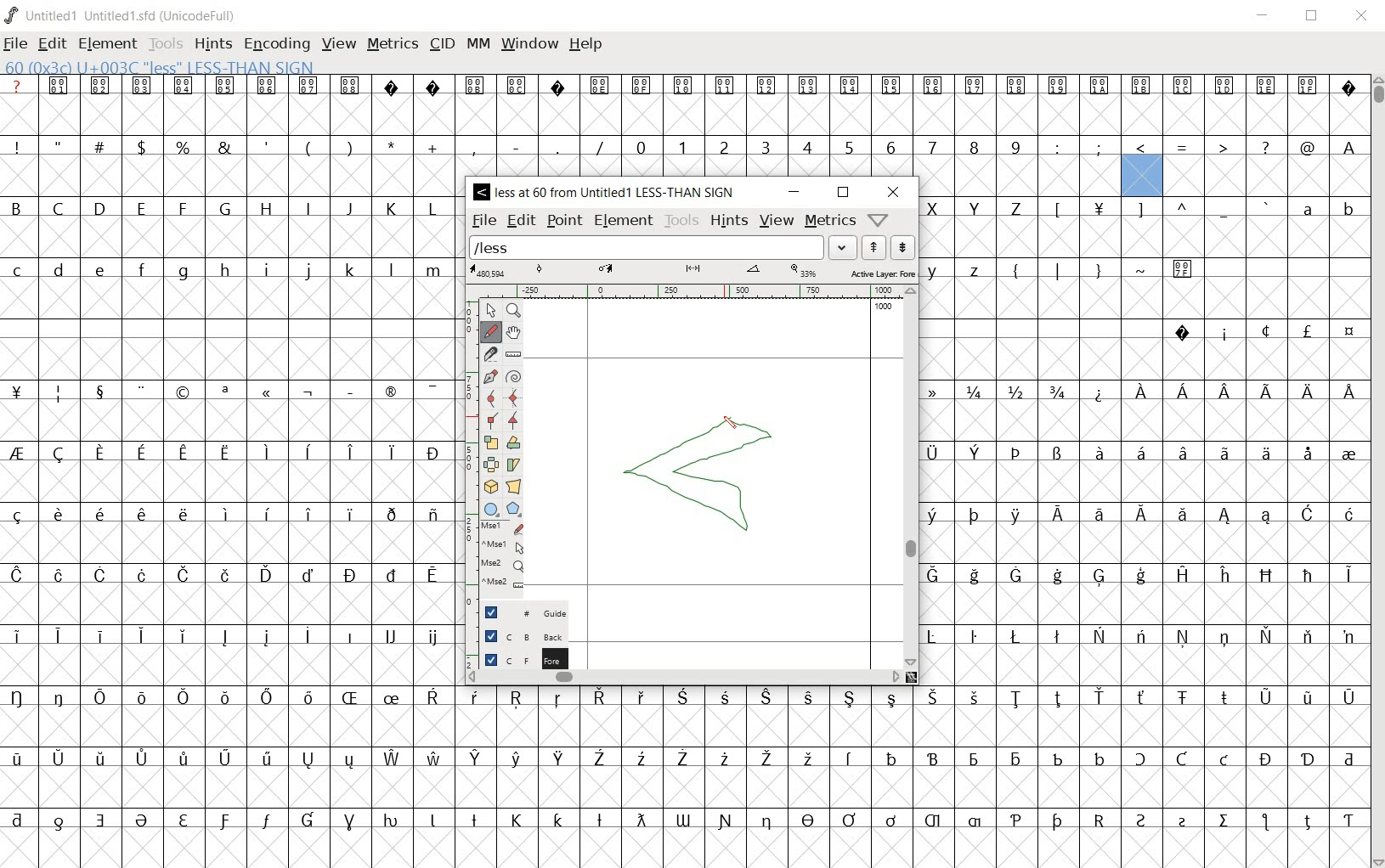 The width and height of the screenshot is (1385, 868). Describe the element at coordinates (236, 389) in the screenshot. I see `symbols` at that location.